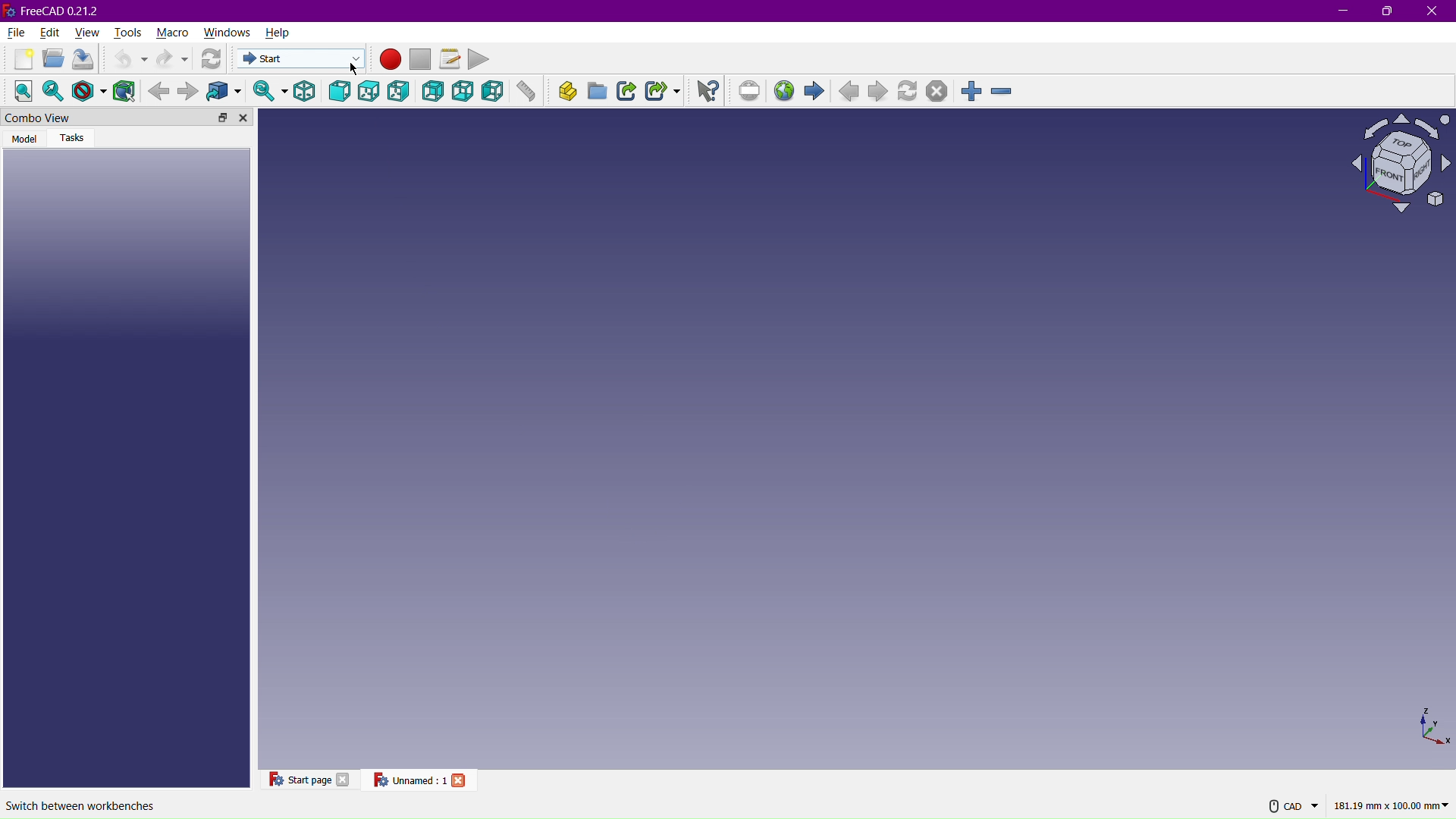 This screenshot has width=1456, height=819. Describe the element at coordinates (126, 57) in the screenshot. I see `Undo` at that location.